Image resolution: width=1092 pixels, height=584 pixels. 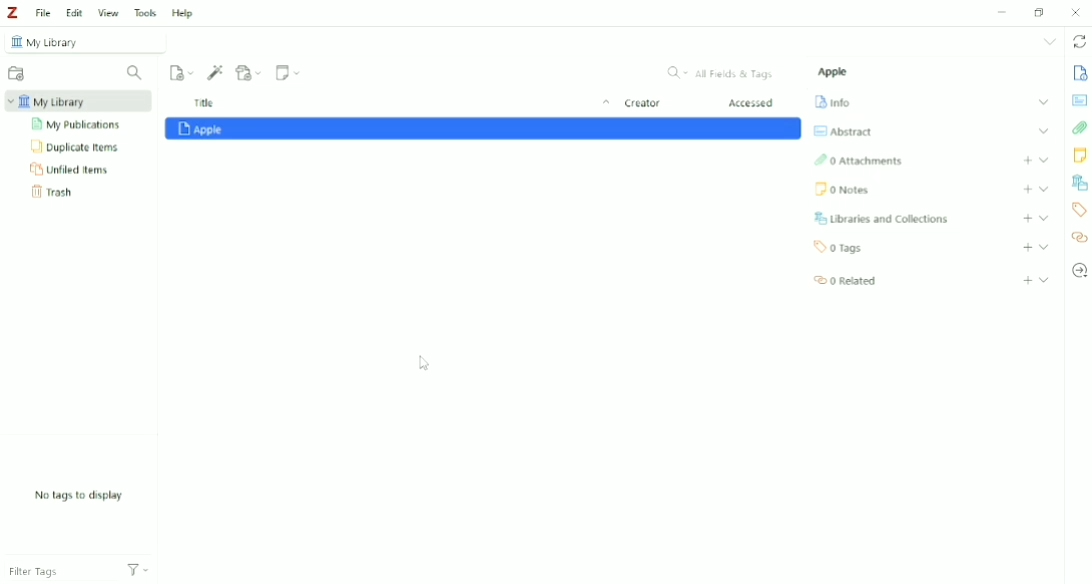 I want to click on Expand section, so click(x=1043, y=131).